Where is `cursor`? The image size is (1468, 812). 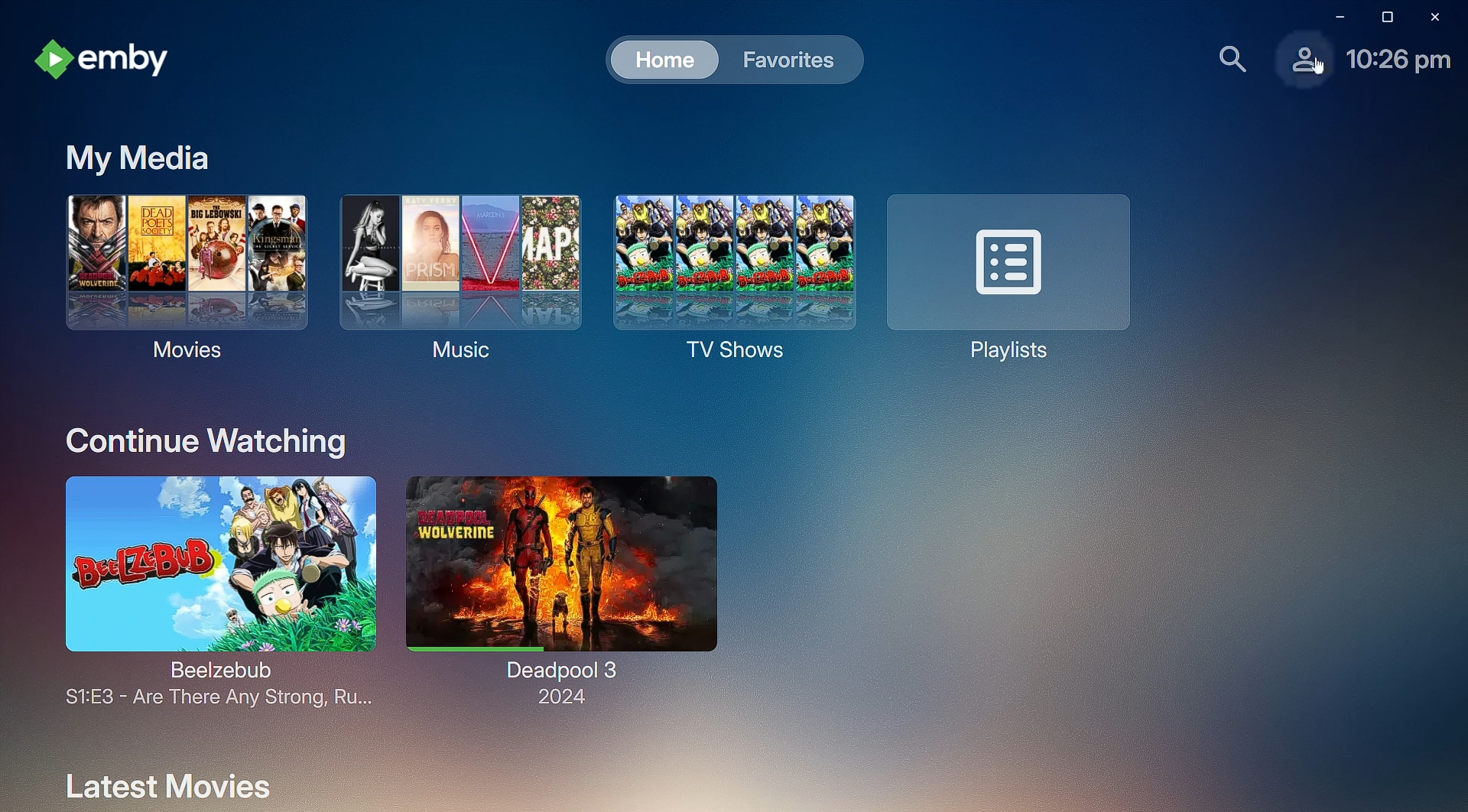 cursor is located at coordinates (1320, 68).